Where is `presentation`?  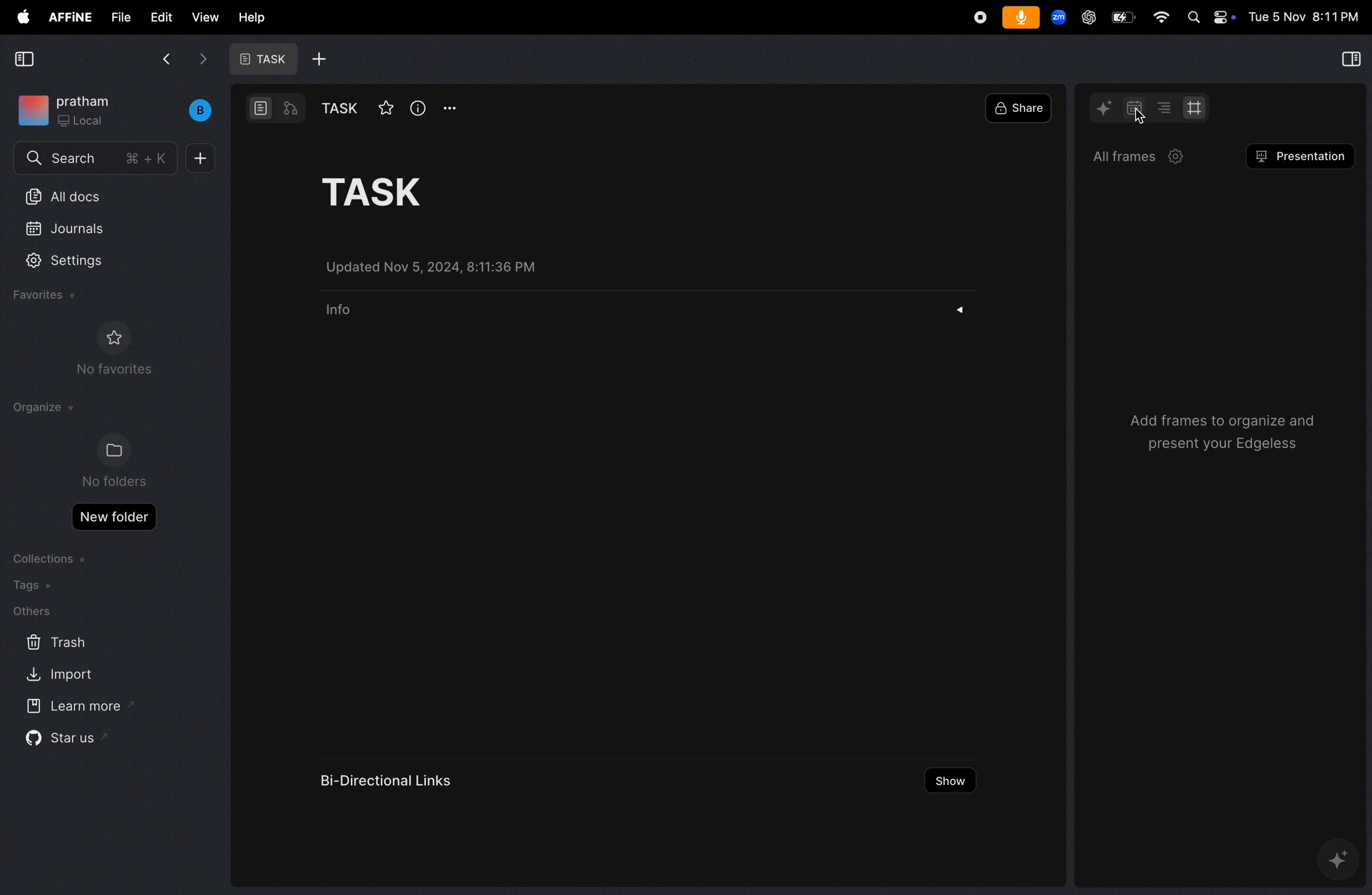 presentation is located at coordinates (1301, 159).